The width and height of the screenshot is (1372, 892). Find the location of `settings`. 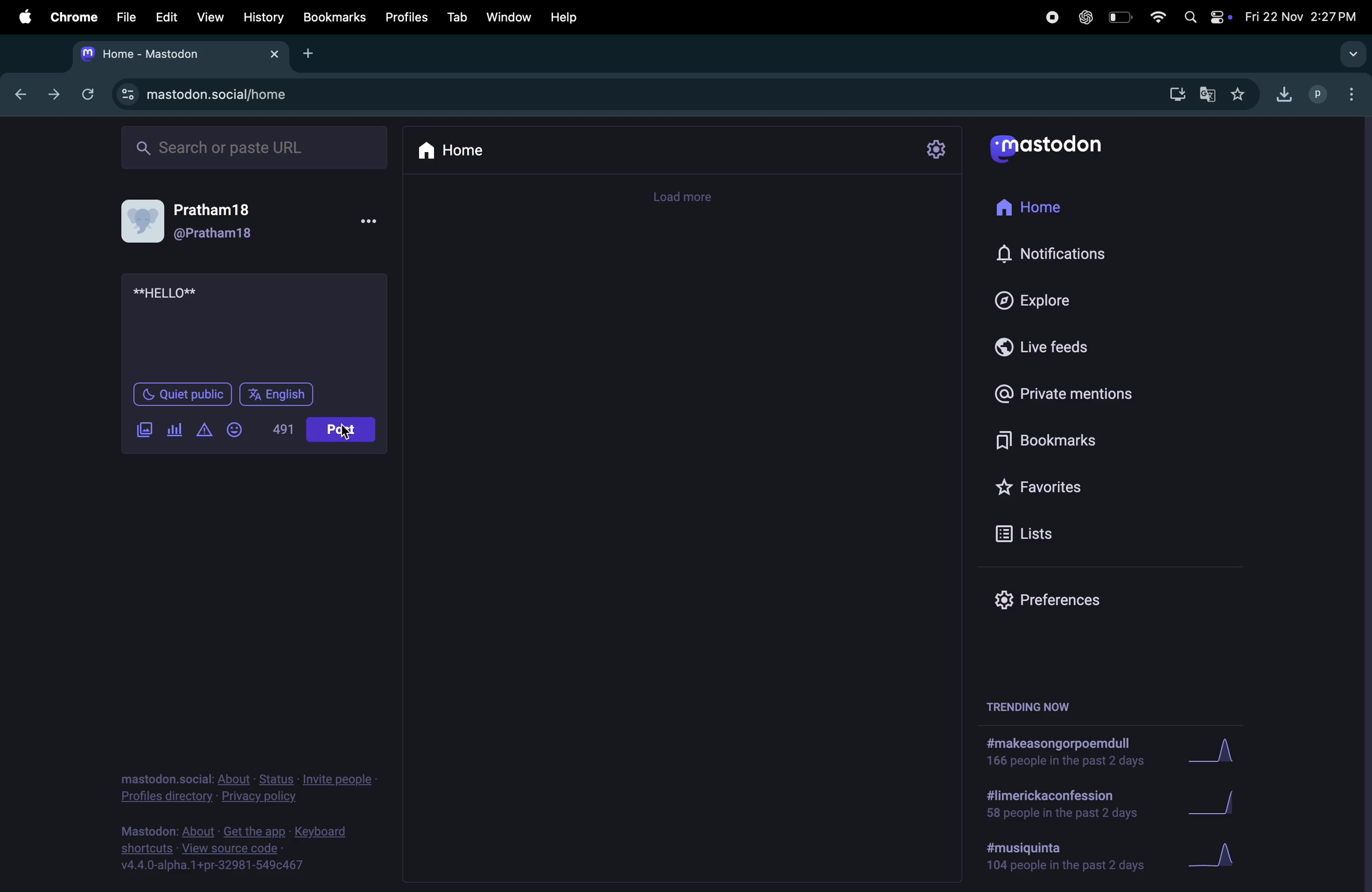

settings is located at coordinates (937, 150).